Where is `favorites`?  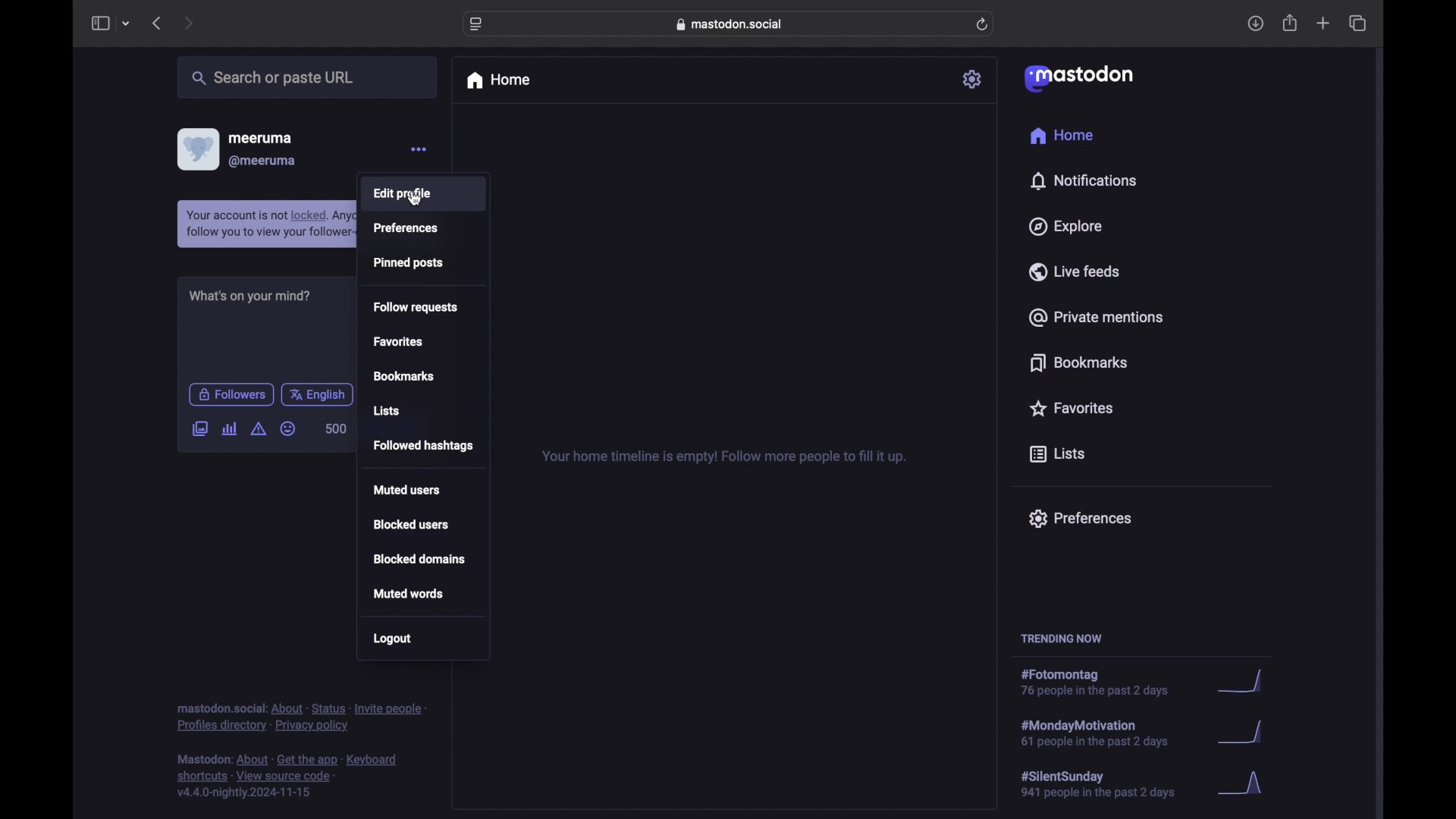
favorites is located at coordinates (397, 342).